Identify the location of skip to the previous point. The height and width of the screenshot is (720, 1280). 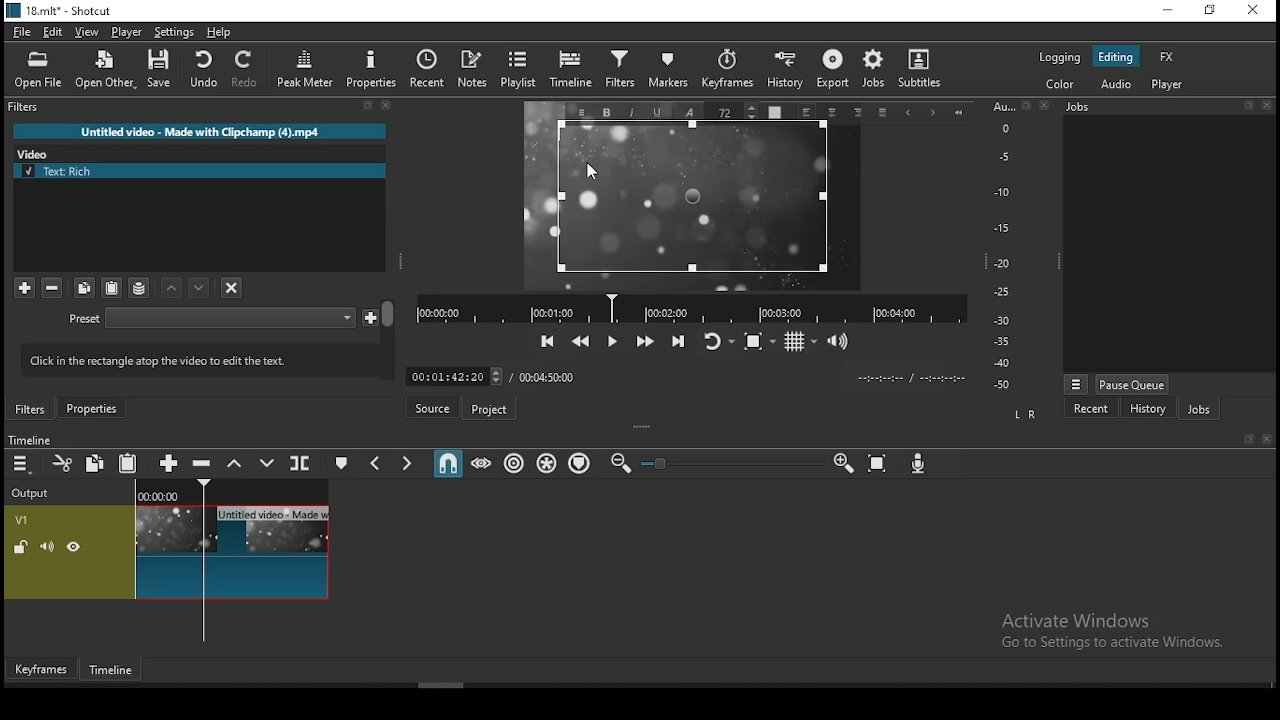
(548, 341).